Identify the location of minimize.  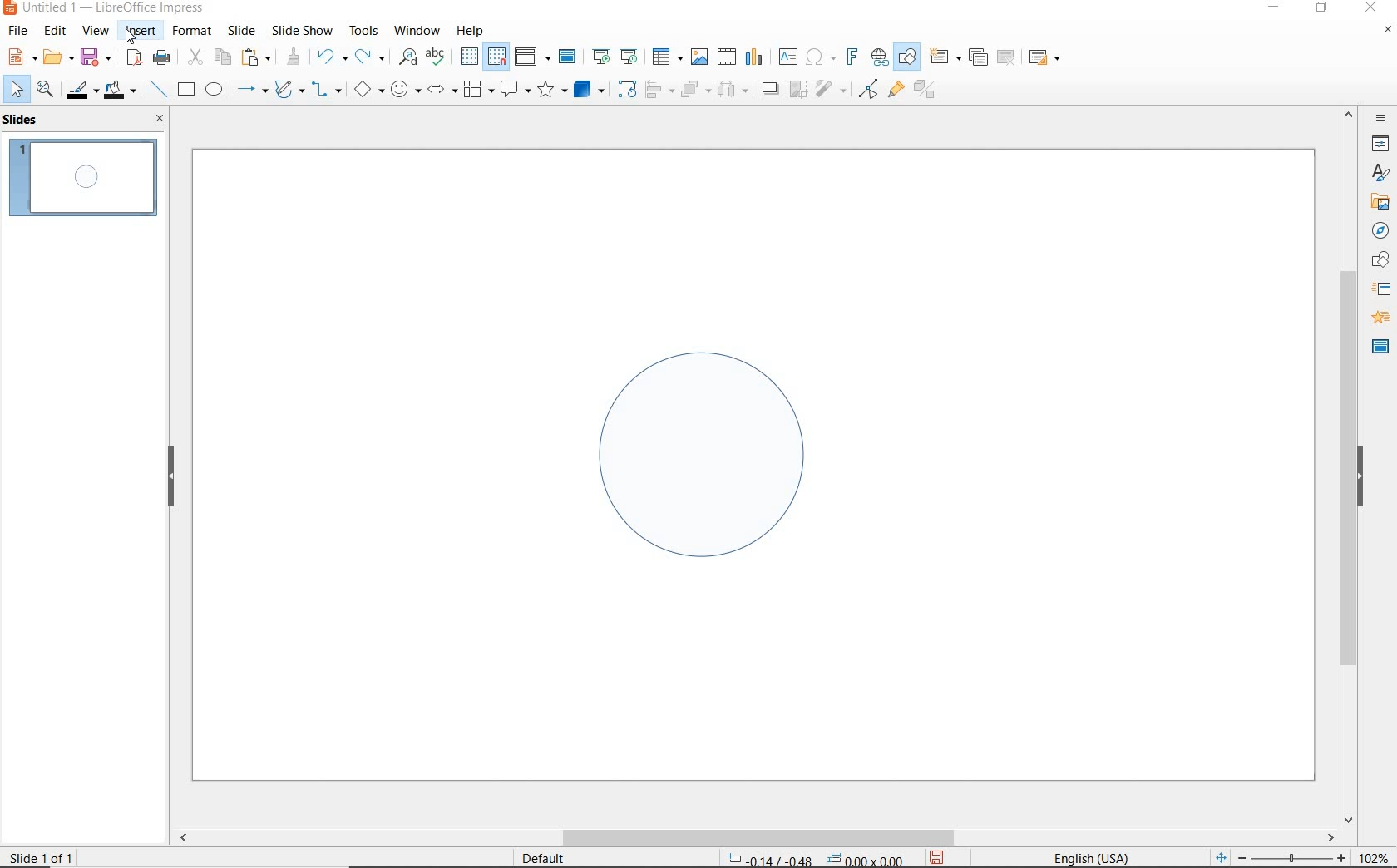
(1276, 9).